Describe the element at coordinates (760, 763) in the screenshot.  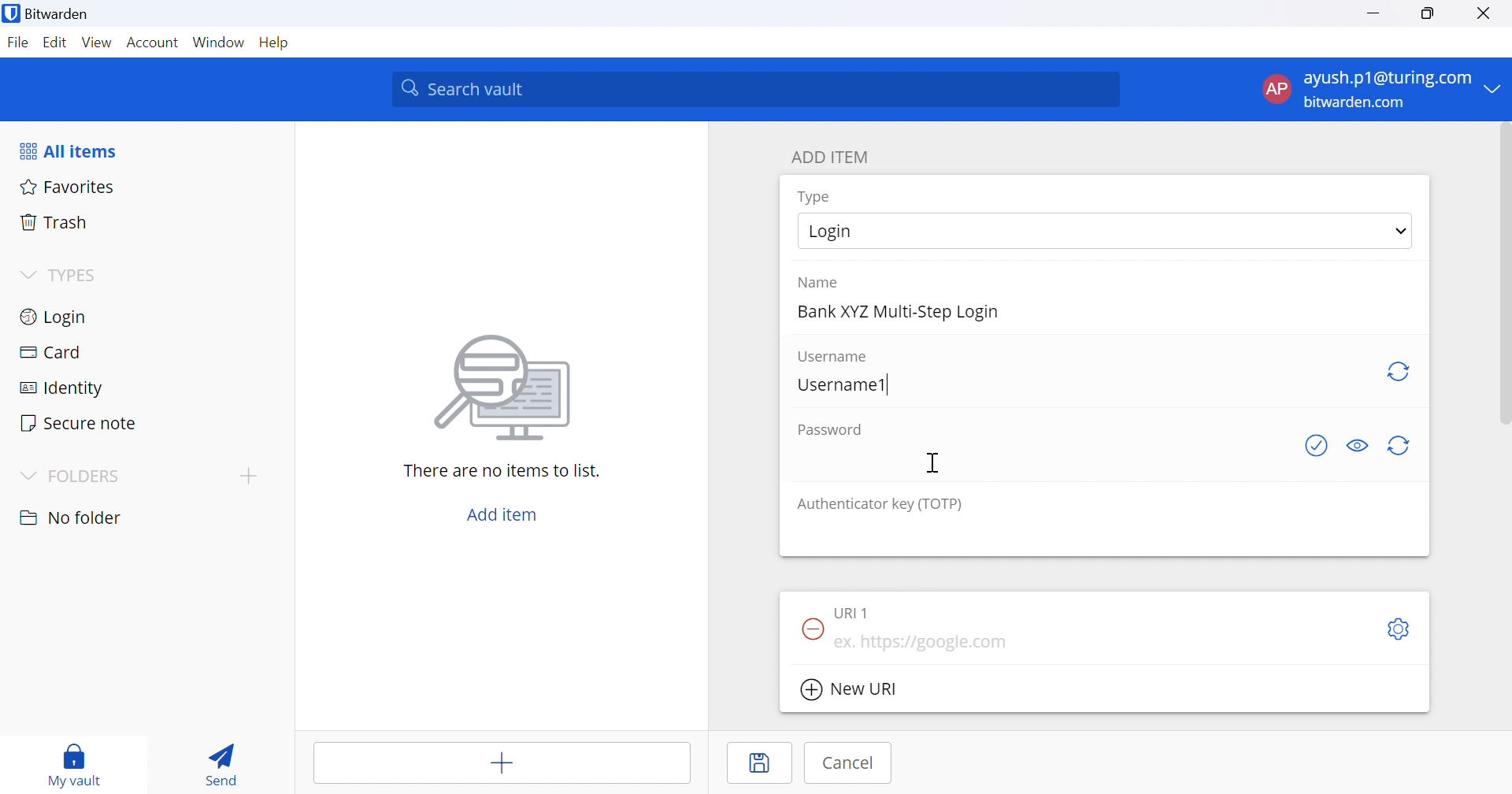
I see `Save` at that location.